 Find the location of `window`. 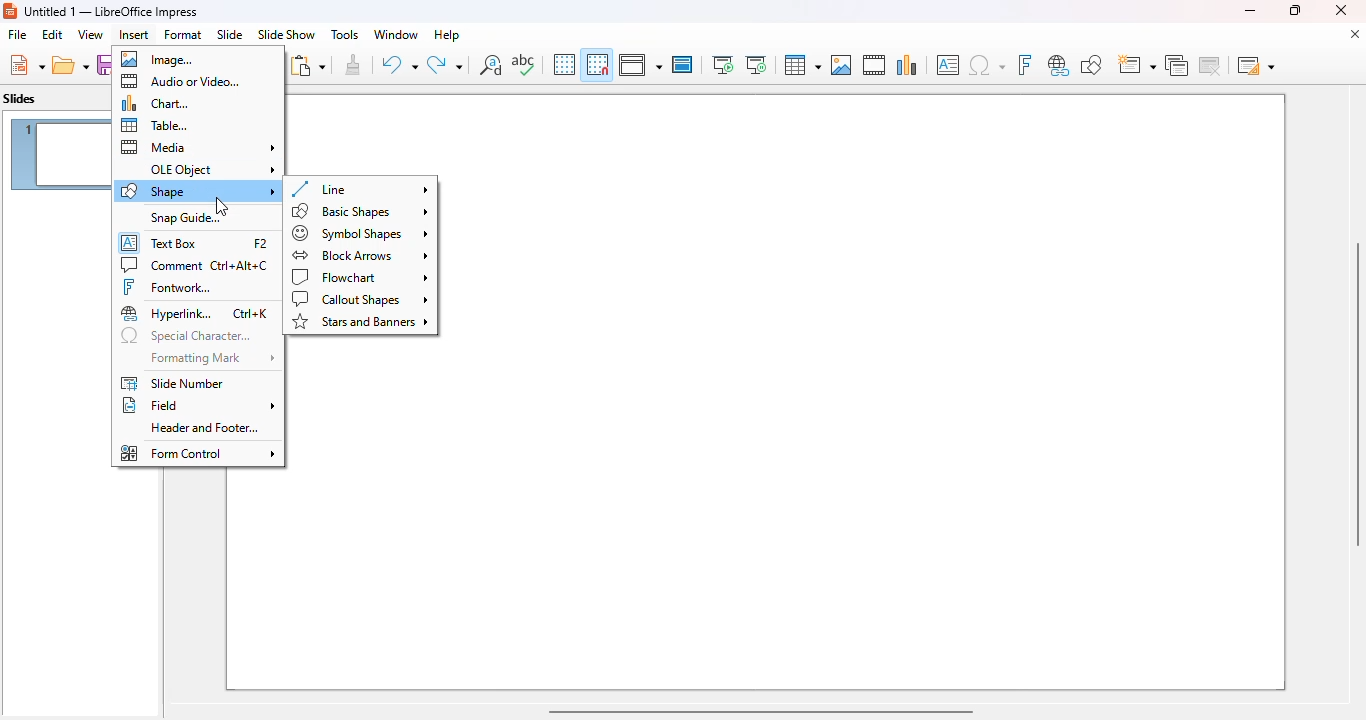

window is located at coordinates (395, 34).